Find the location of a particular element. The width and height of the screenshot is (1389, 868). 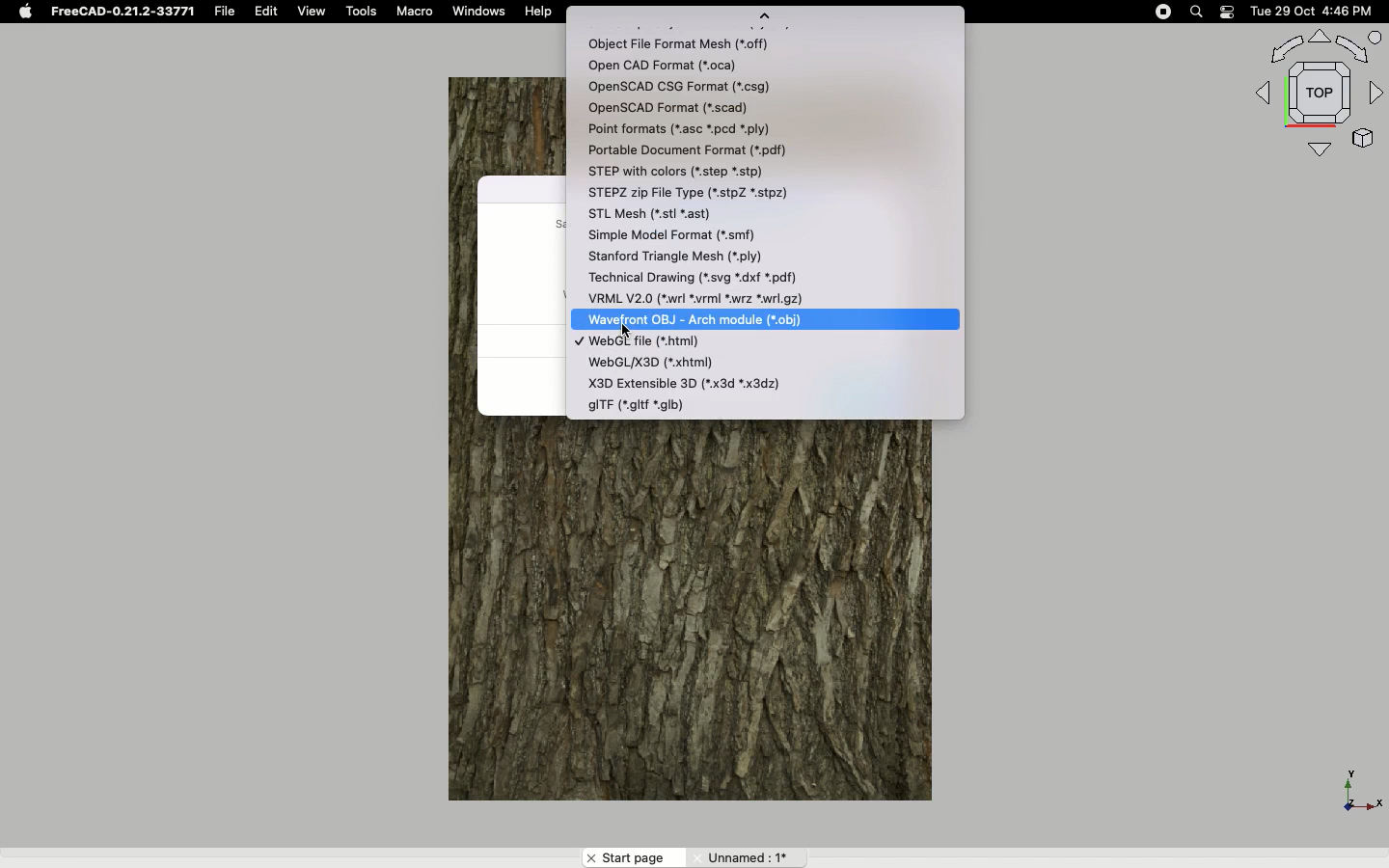

Record is located at coordinates (1158, 12).